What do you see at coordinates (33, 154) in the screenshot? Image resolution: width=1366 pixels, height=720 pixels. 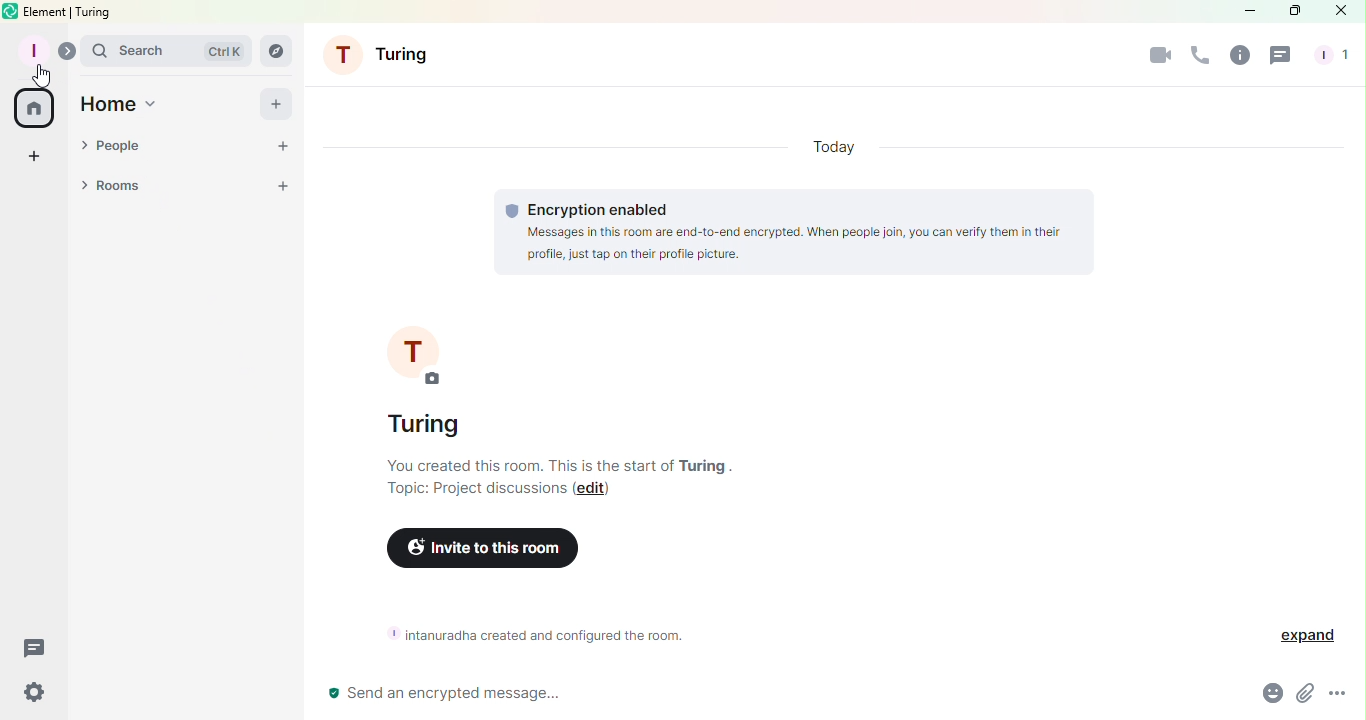 I see `Create a space` at bounding box center [33, 154].